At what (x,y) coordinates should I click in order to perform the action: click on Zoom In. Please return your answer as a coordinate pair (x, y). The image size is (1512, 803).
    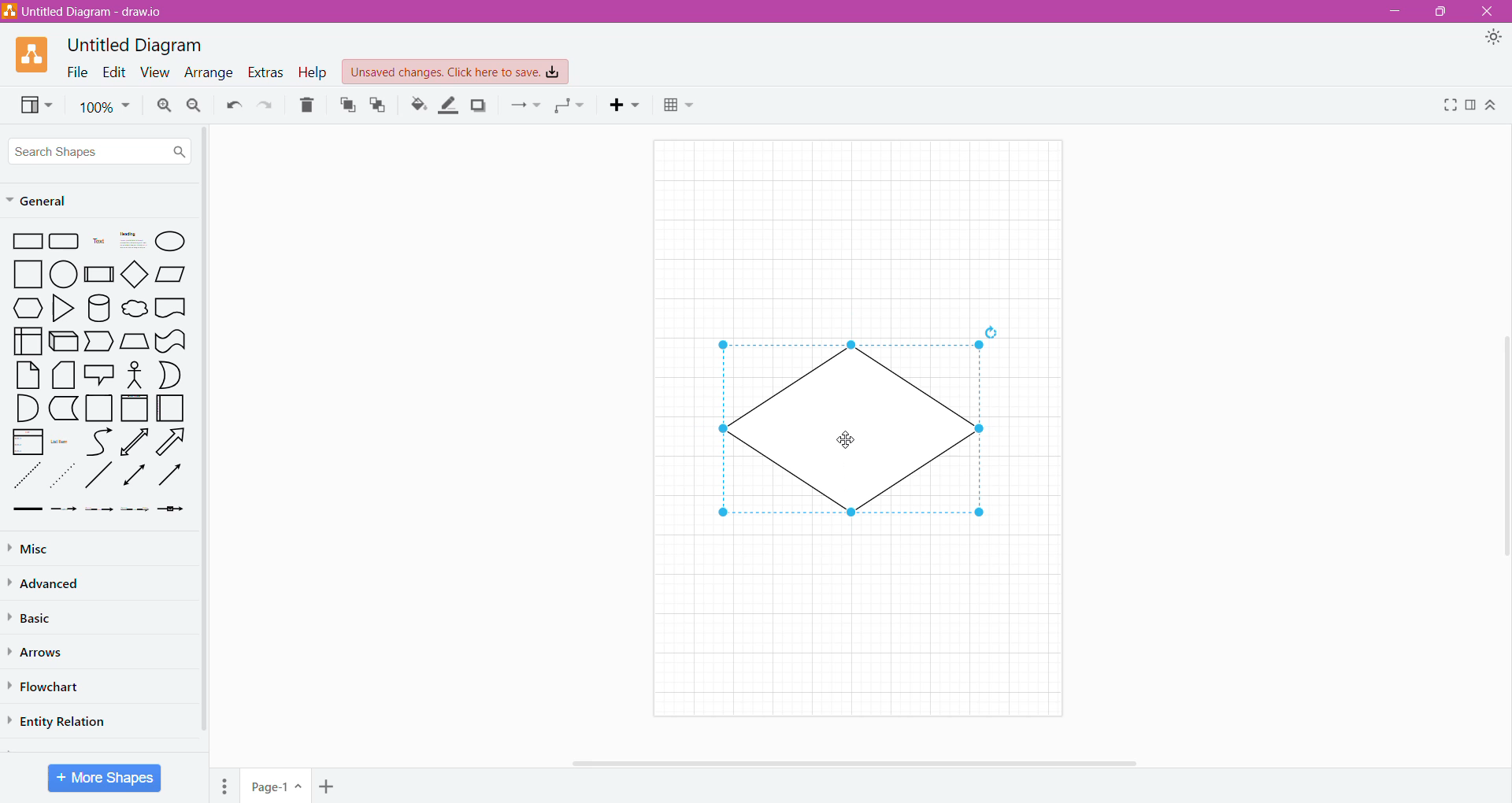
    Looking at the image, I should click on (162, 105).